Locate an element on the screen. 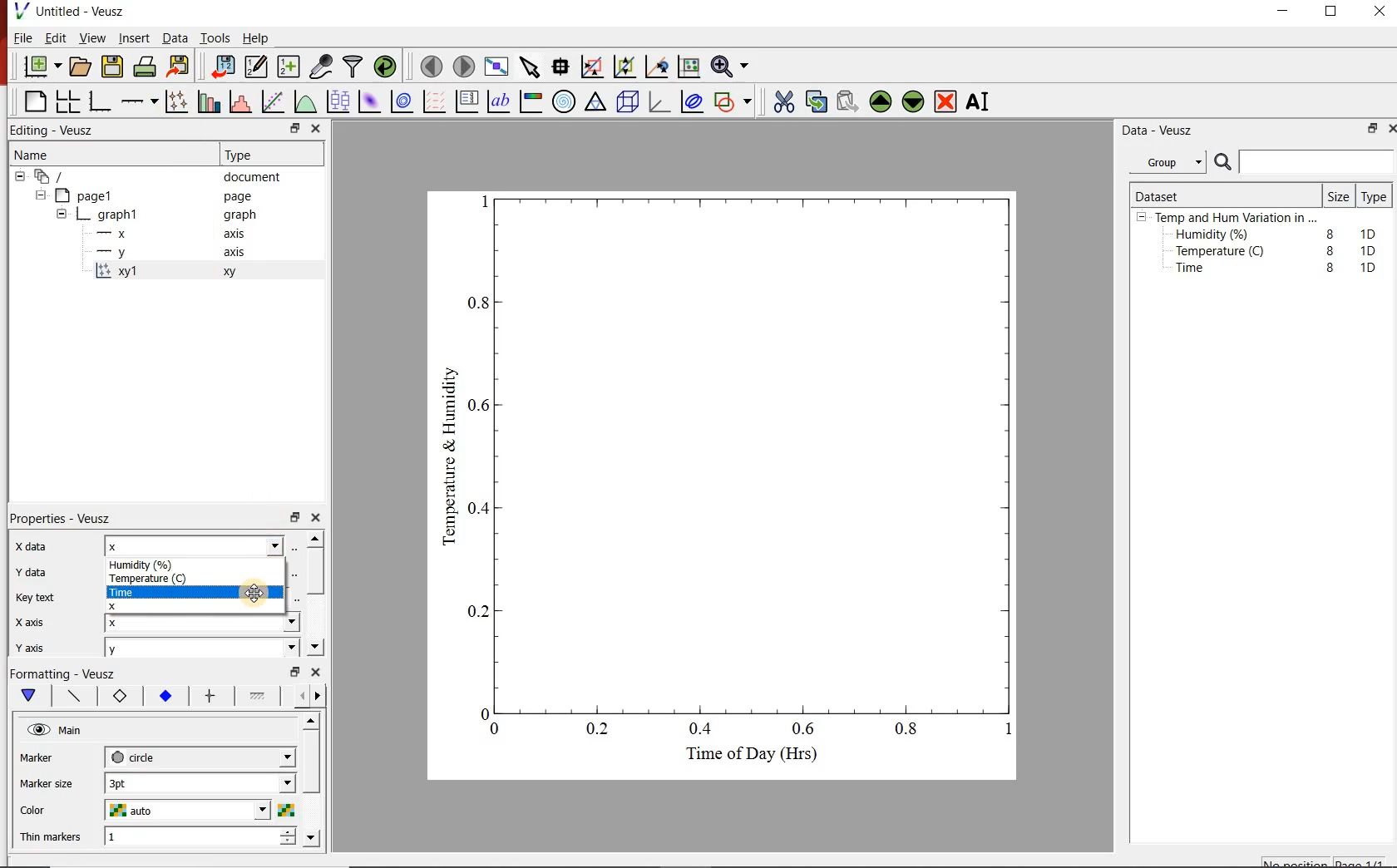  Humidity (%) is located at coordinates (150, 562).